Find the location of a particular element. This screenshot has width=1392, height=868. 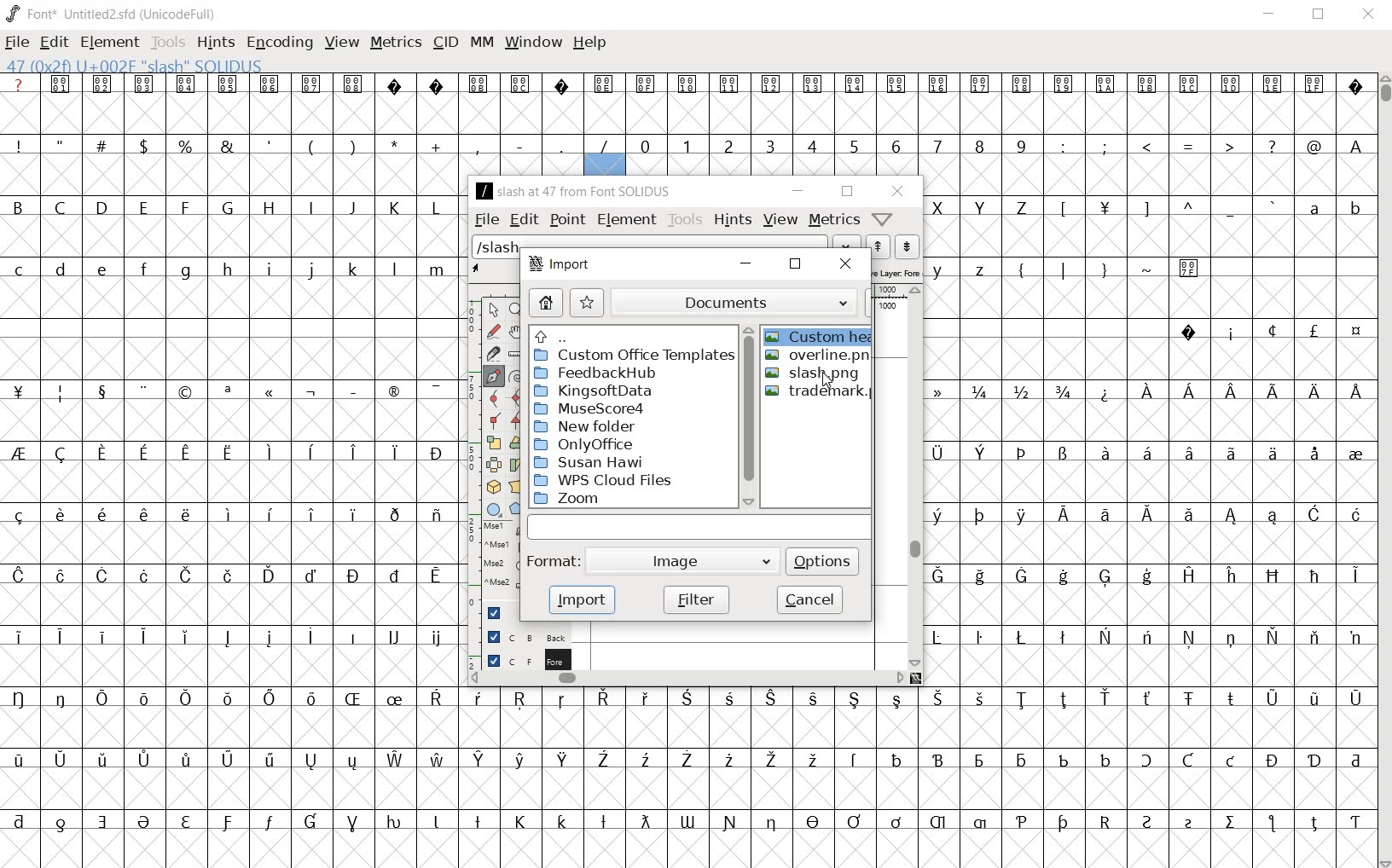

a b is located at coordinates (1331, 205).